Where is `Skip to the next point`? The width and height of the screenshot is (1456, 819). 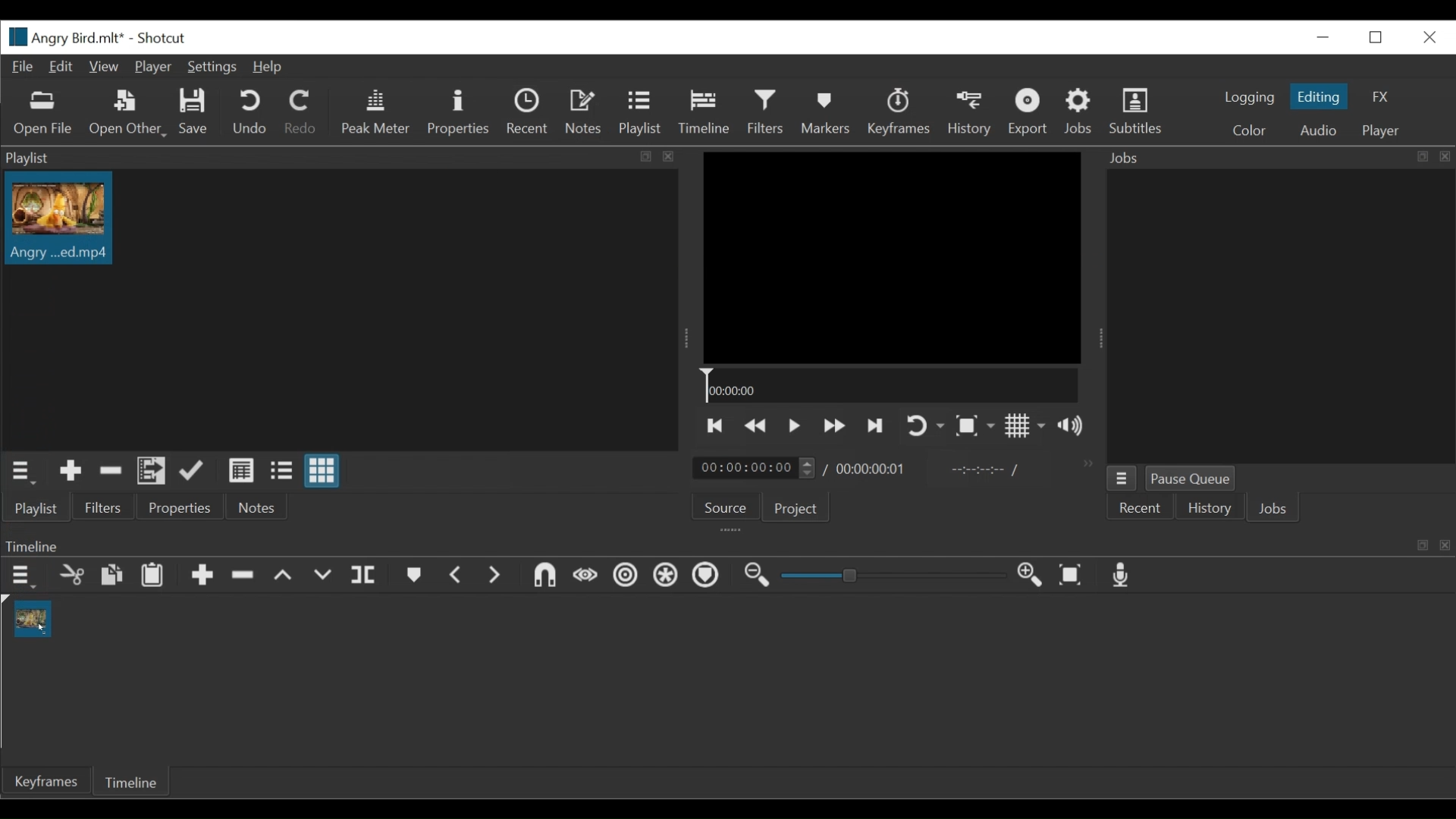 Skip to the next point is located at coordinates (877, 426).